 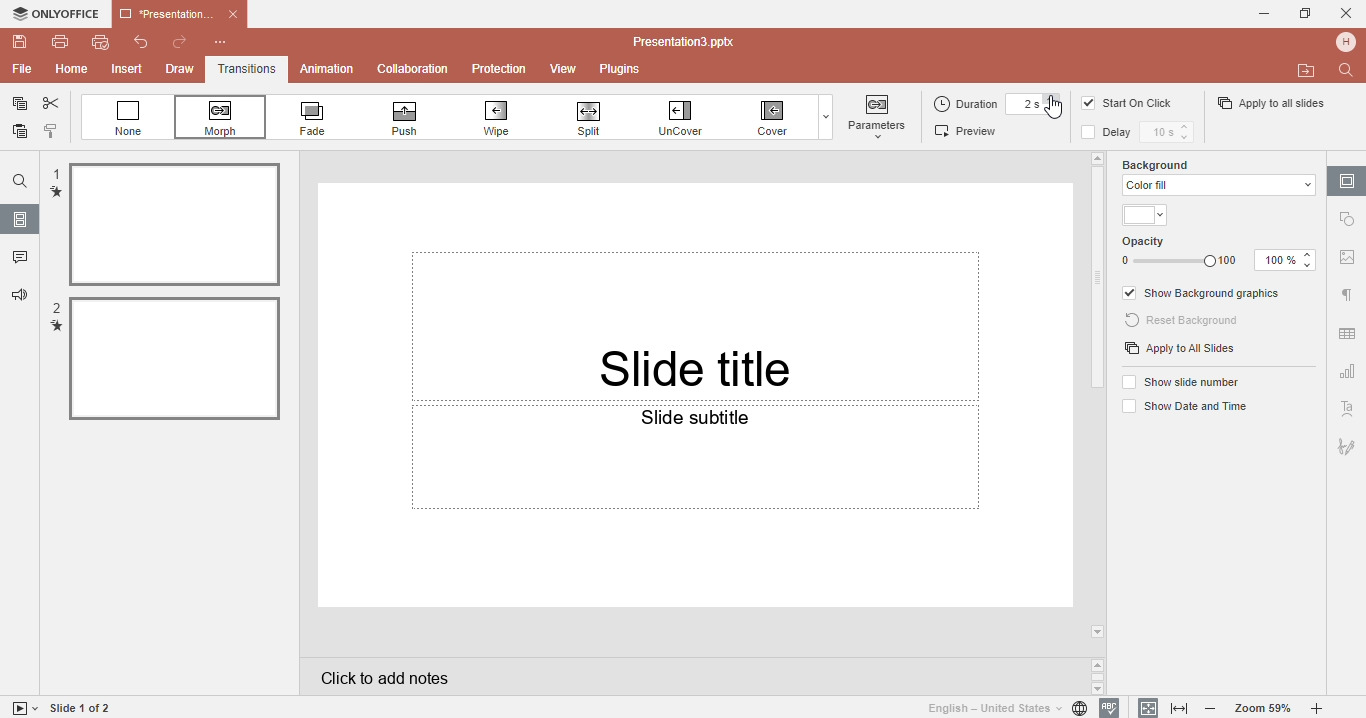 What do you see at coordinates (1050, 109) in the screenshot?
I see `Cursor on 2s` at bounding box center [1050, 109].